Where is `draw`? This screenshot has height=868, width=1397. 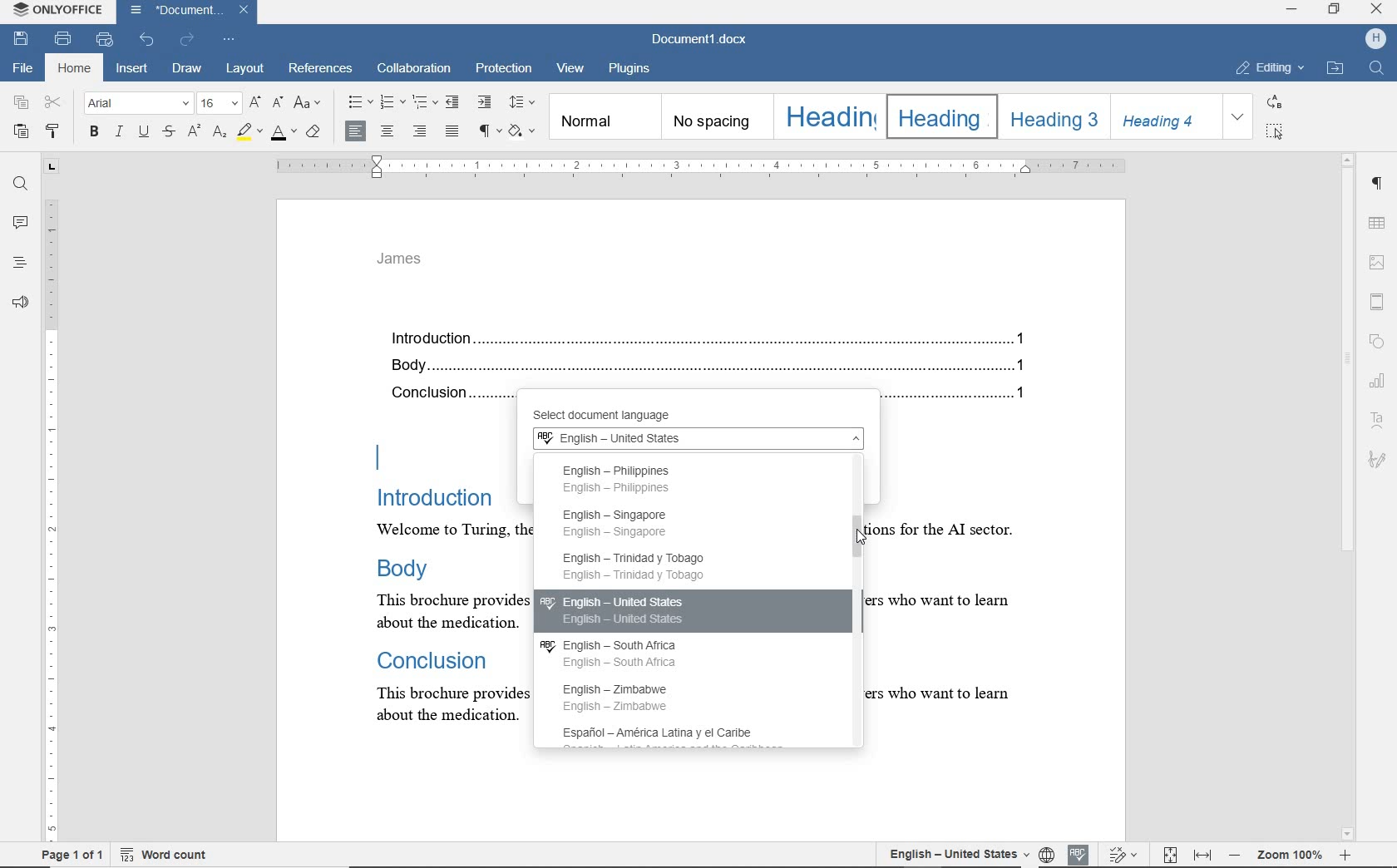
draw is located at coordinates (190, 70).